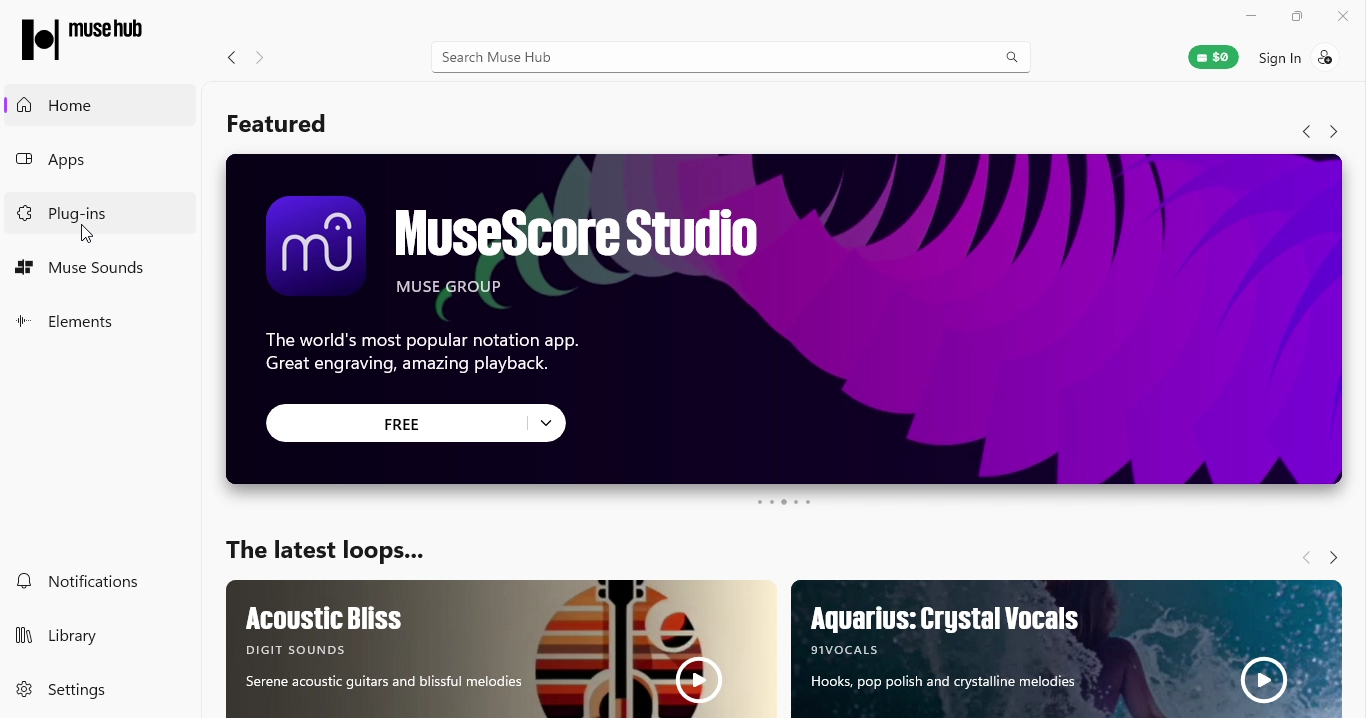 The image size is (1366, 718). I want to click on free options, so click(546, 422).